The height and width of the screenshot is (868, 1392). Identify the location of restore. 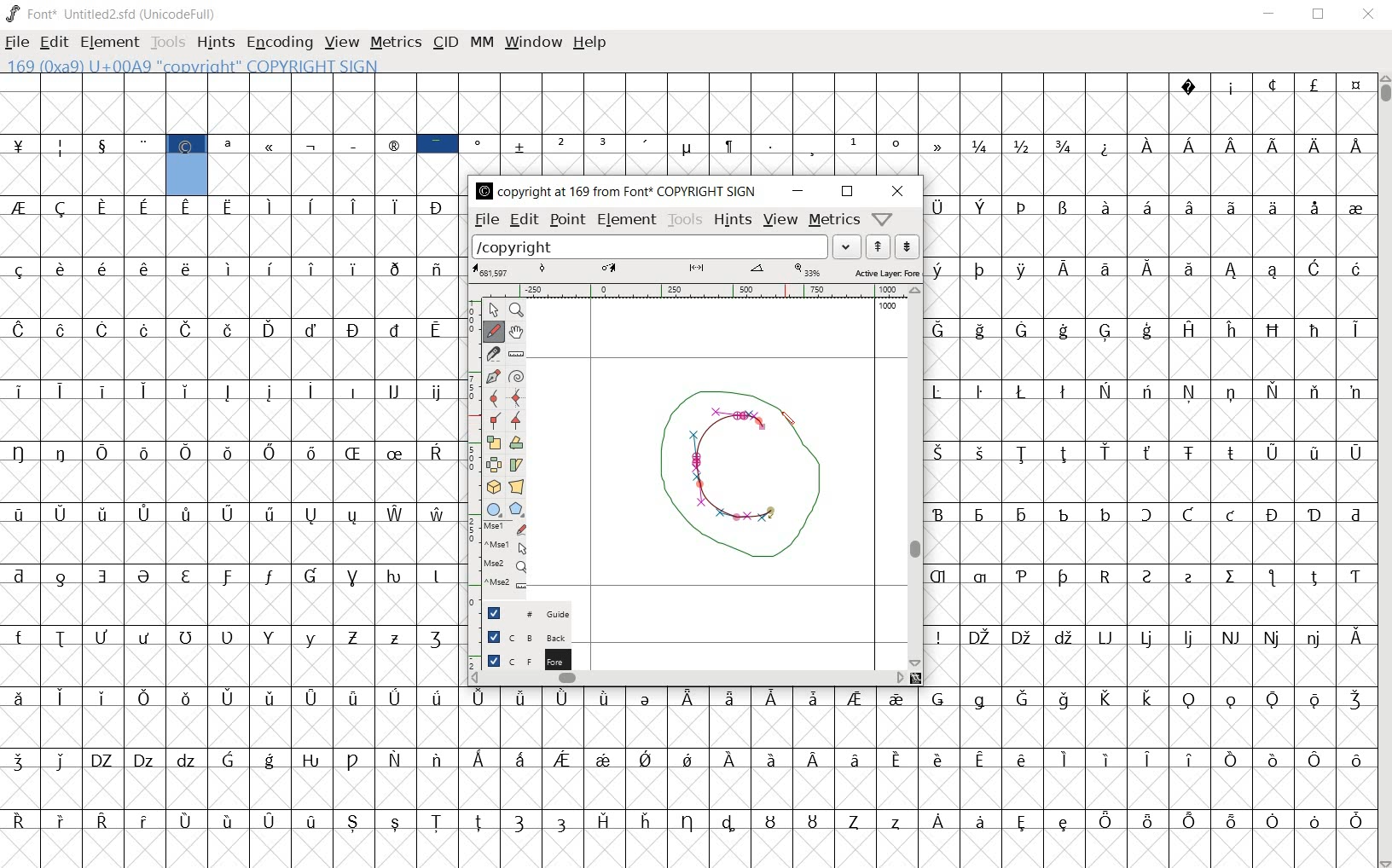
(1320, 14).